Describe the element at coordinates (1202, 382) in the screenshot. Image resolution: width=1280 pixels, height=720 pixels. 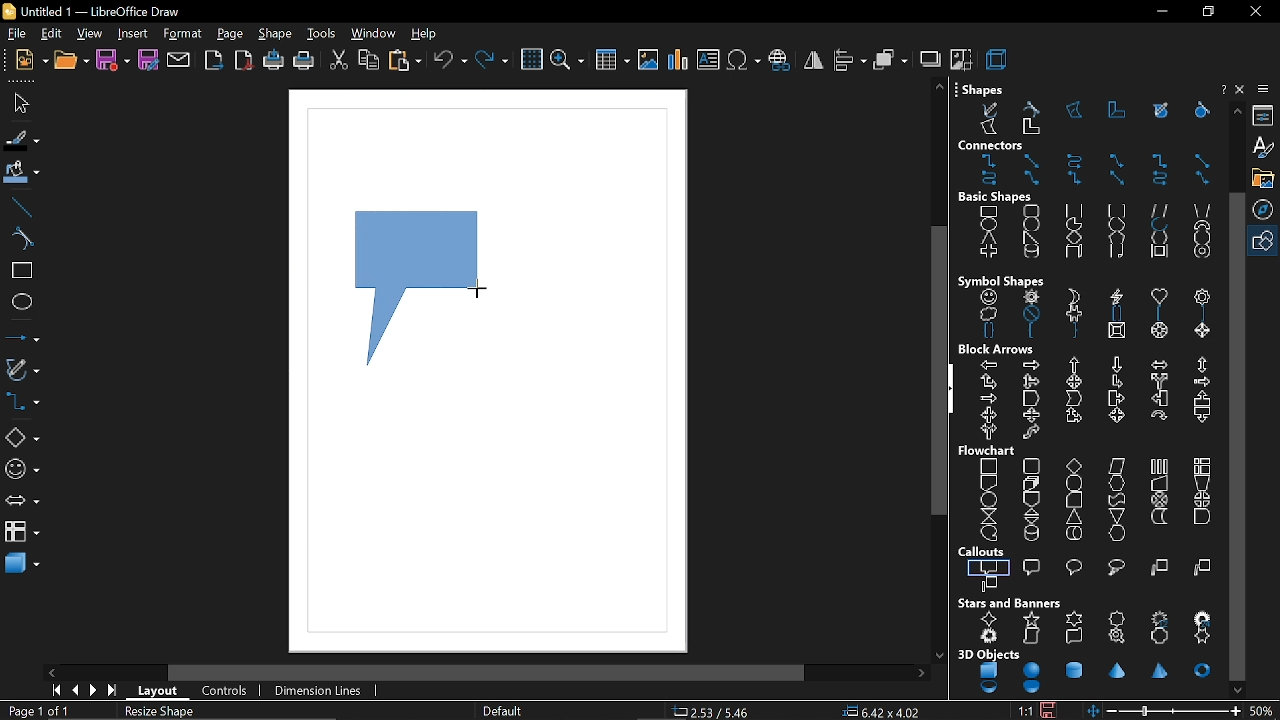
I see `striped right arrow` at that location.